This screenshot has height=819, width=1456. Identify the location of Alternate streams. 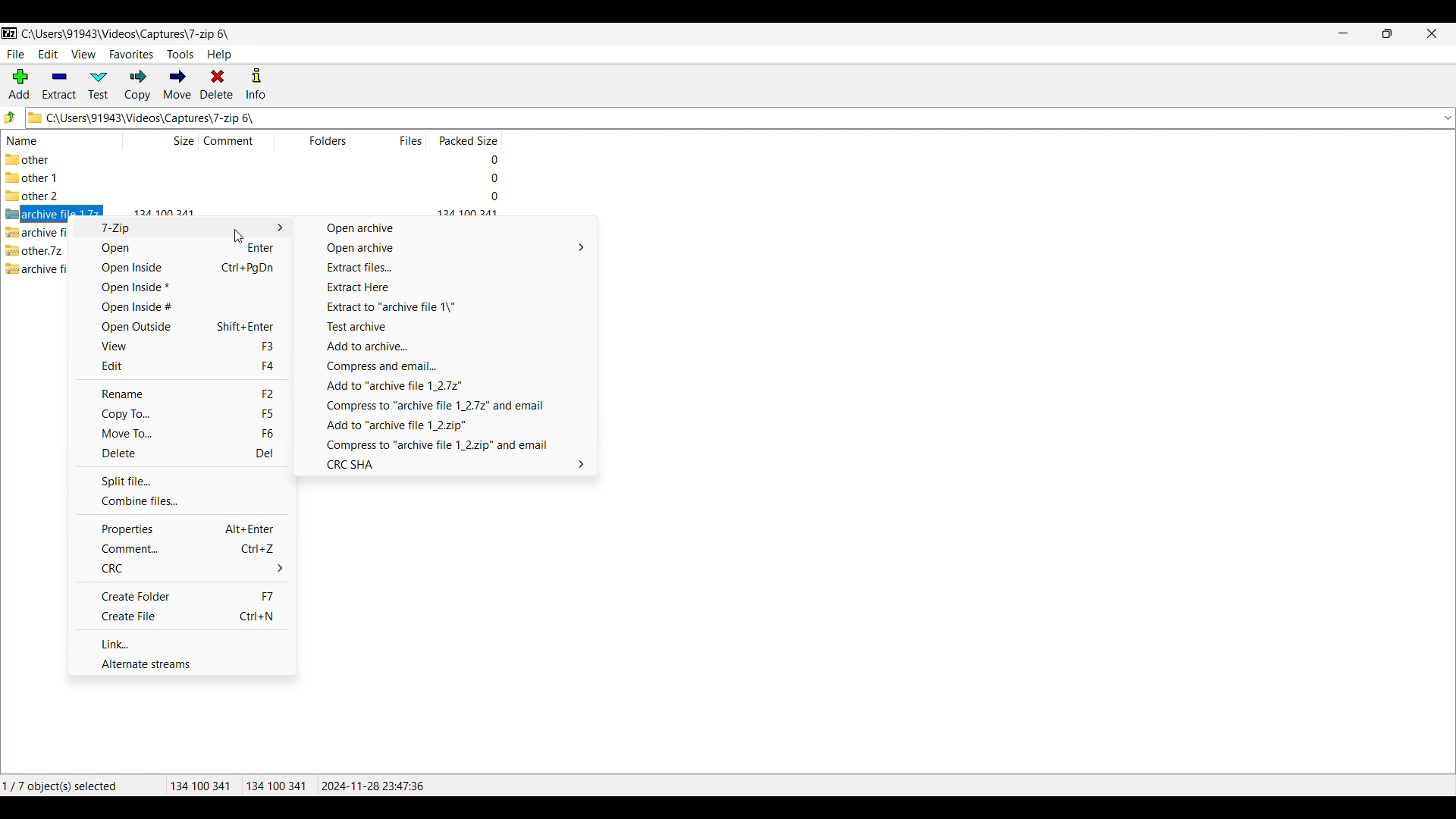
(183, 664).